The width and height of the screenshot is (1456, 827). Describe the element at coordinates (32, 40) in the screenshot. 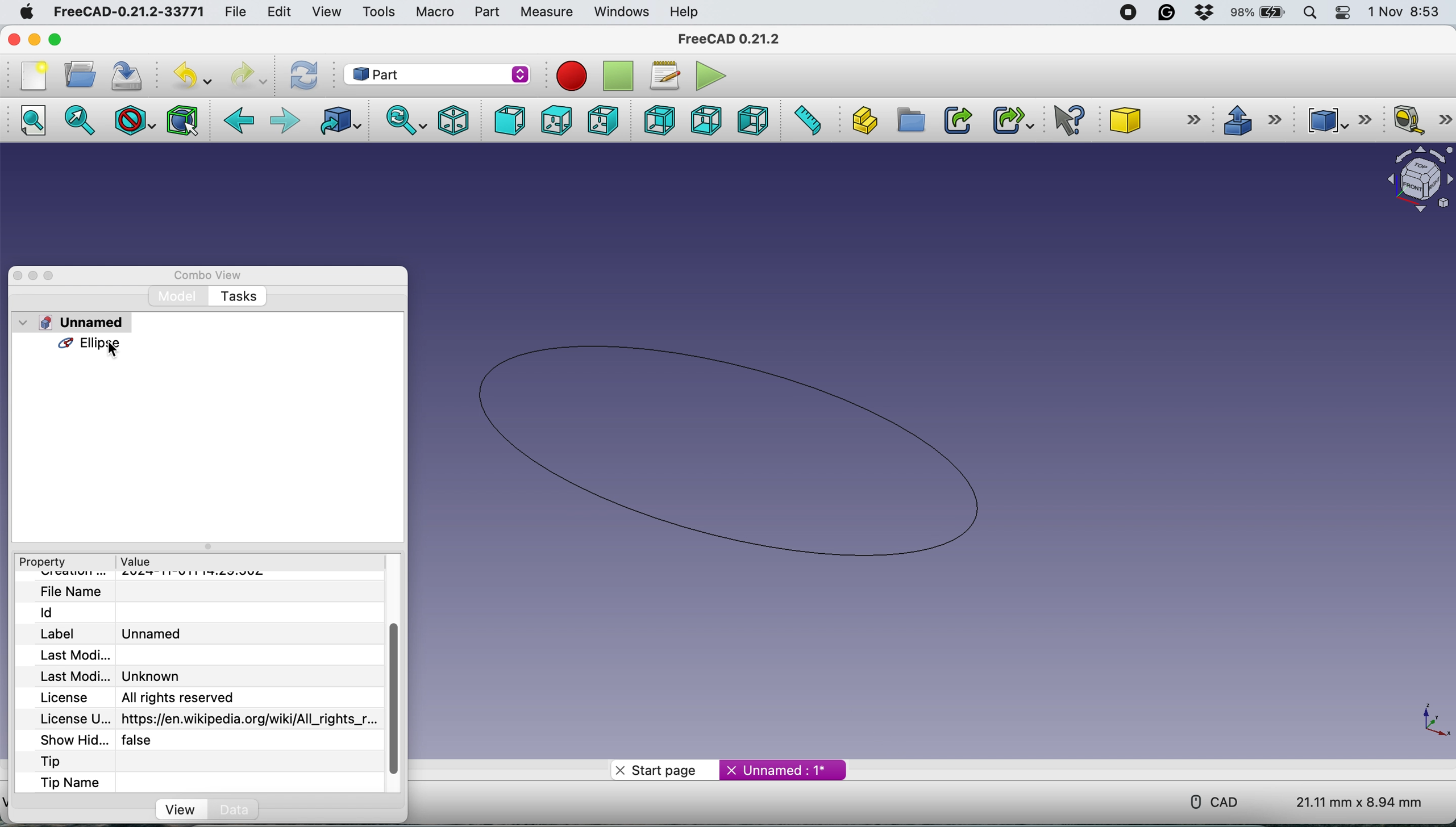

I see `minimise` at that location.